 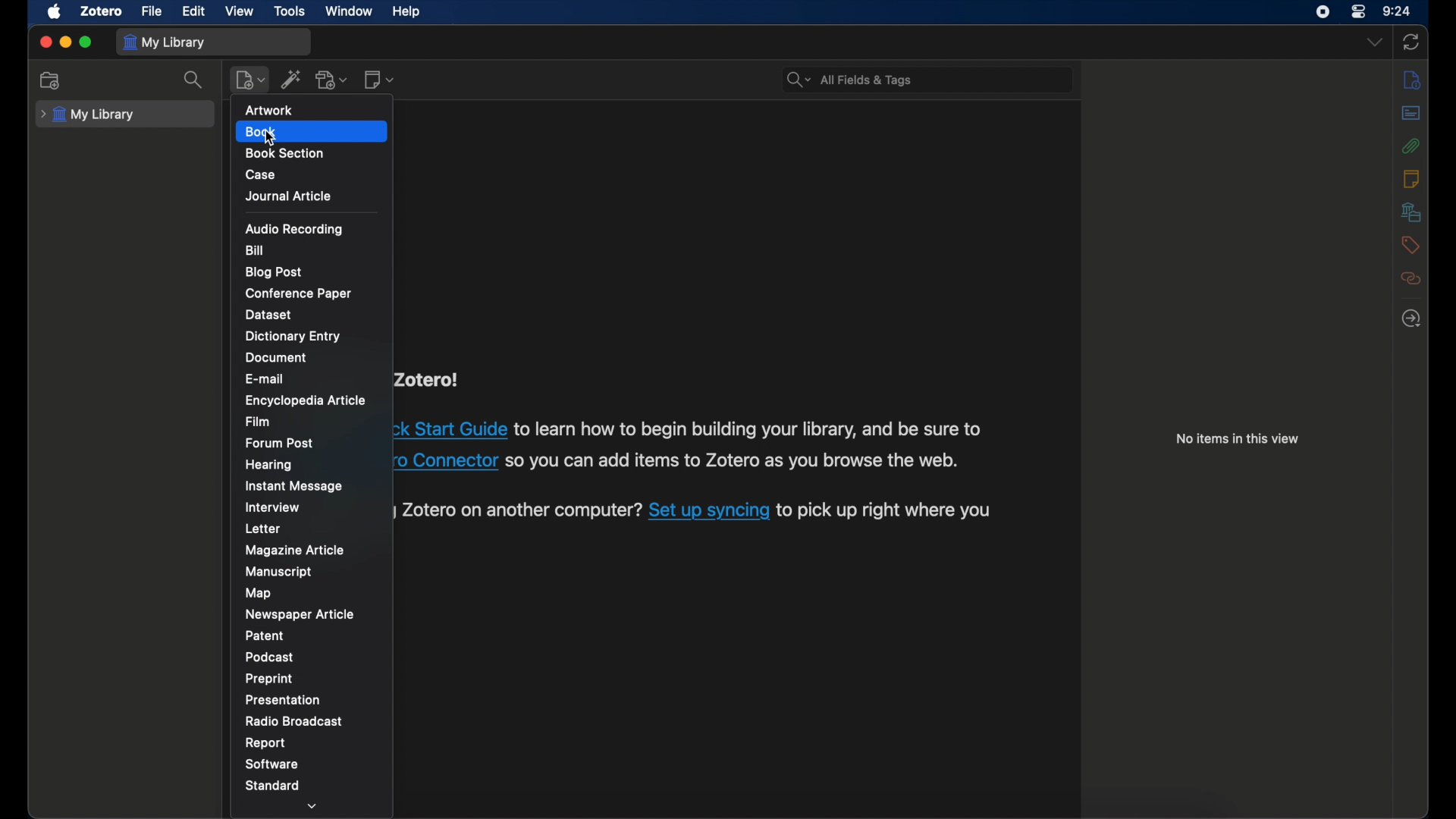 What do you see at coordinates (1411, 42) in the screenshot?
I see `sync` at bounding box center [1411, 42].